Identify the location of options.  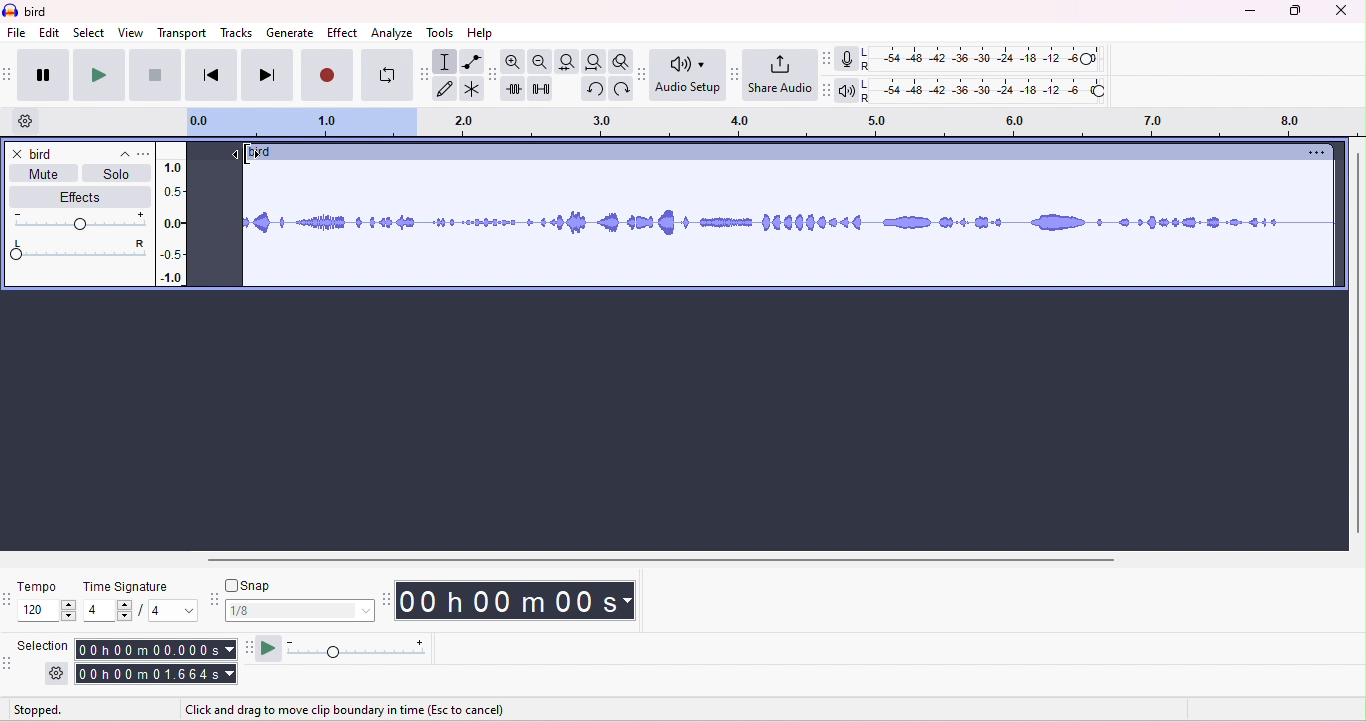
(1312, 153).